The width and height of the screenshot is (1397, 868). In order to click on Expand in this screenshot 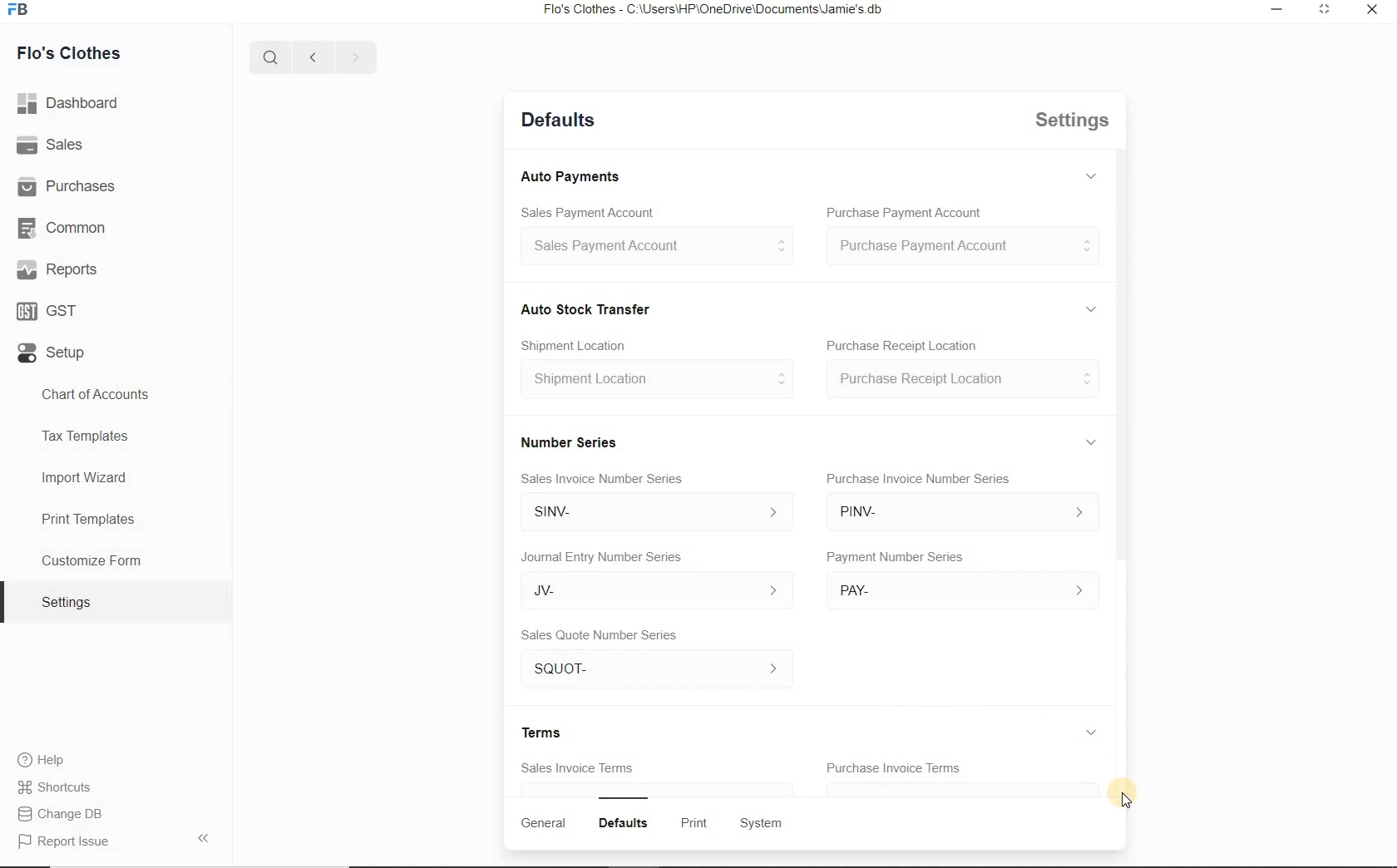, I will do `click(1091, 308)`.